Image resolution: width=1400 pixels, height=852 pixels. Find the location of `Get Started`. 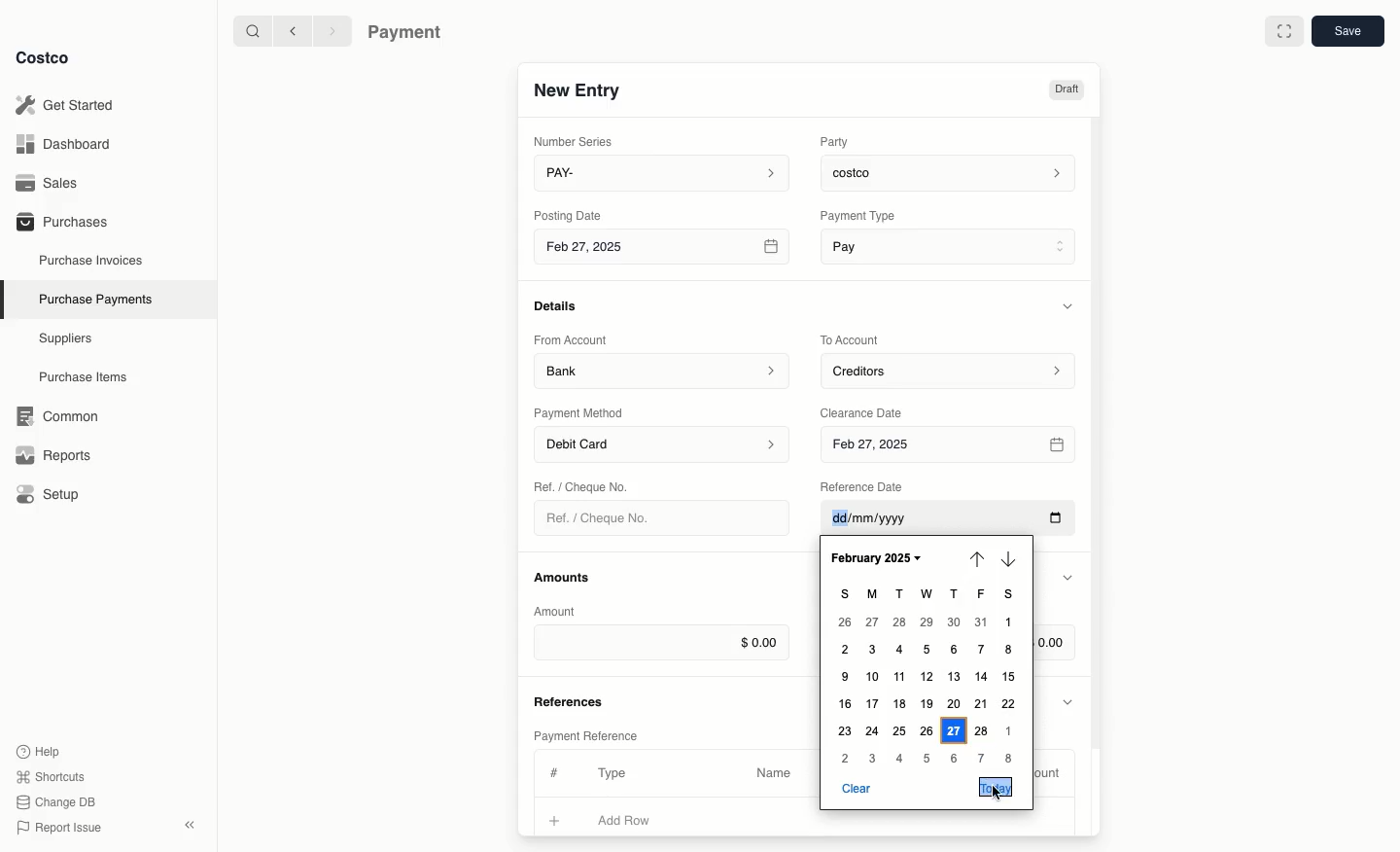

Get Started is located at coordinates (69, 105).